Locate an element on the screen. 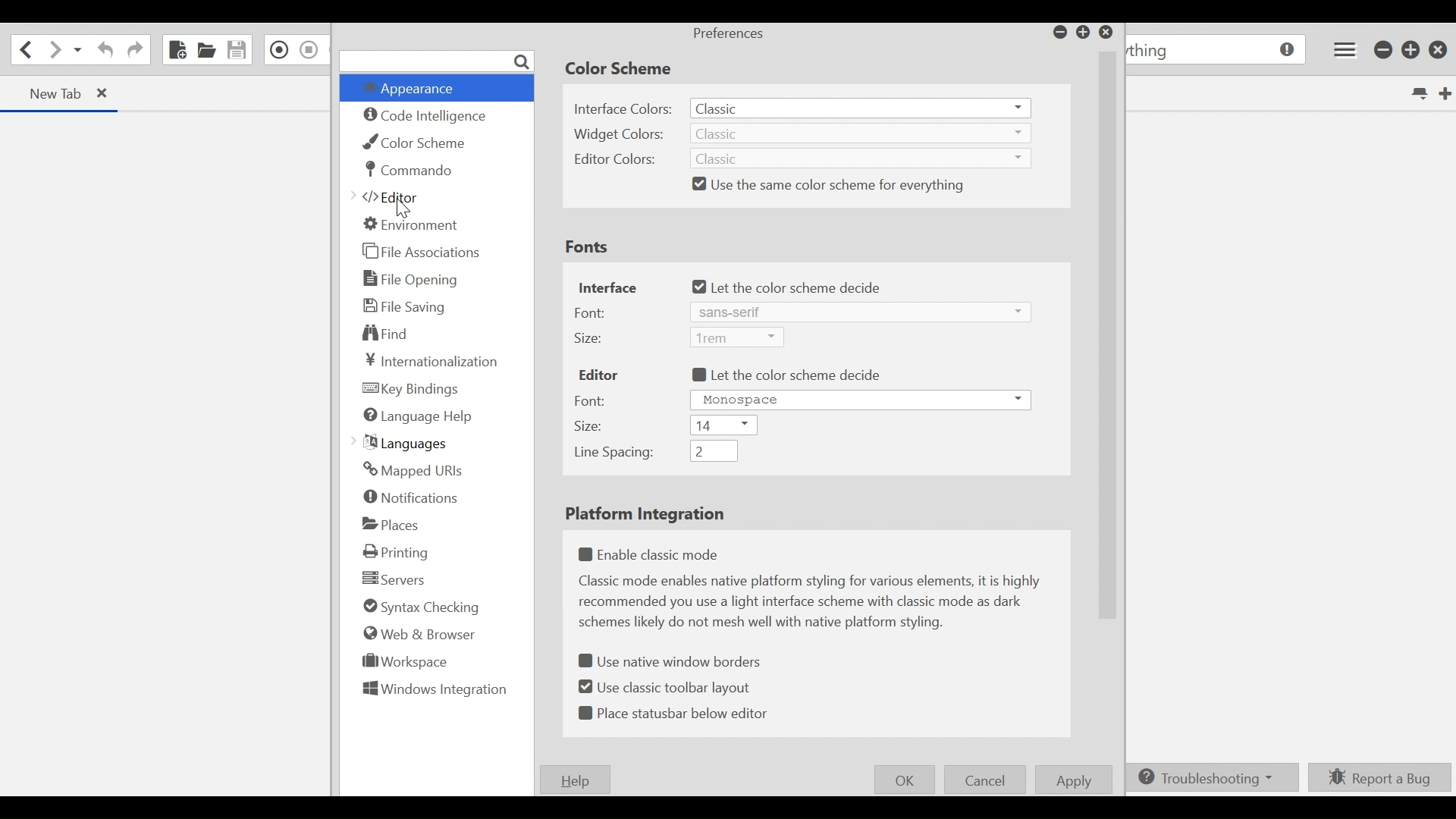 The height and width of the screenshot is (819, 1456). Restore is located at coordinates (1082, 32).